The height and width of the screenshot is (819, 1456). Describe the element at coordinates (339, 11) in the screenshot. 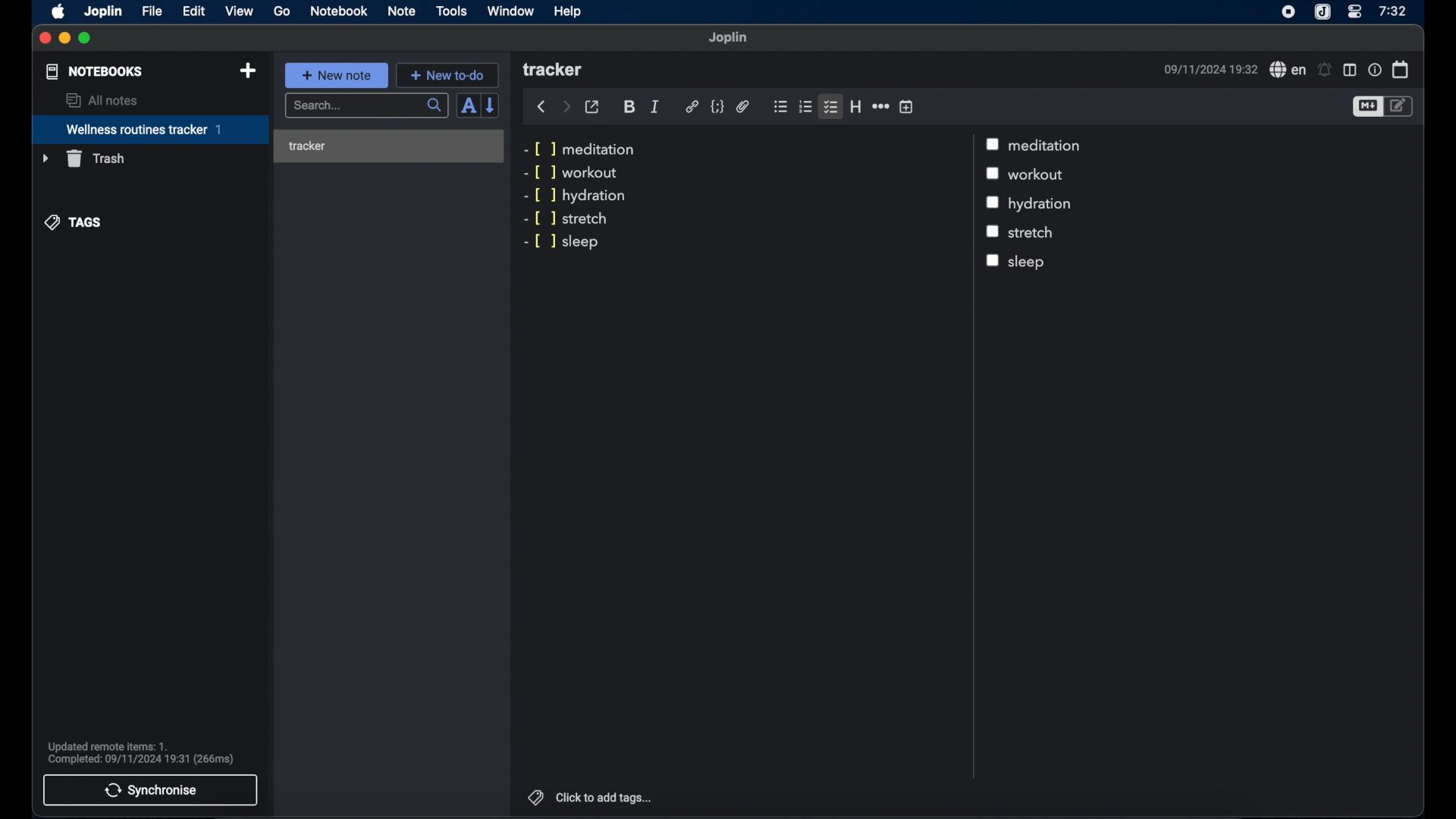

I see `notebook` at that location.